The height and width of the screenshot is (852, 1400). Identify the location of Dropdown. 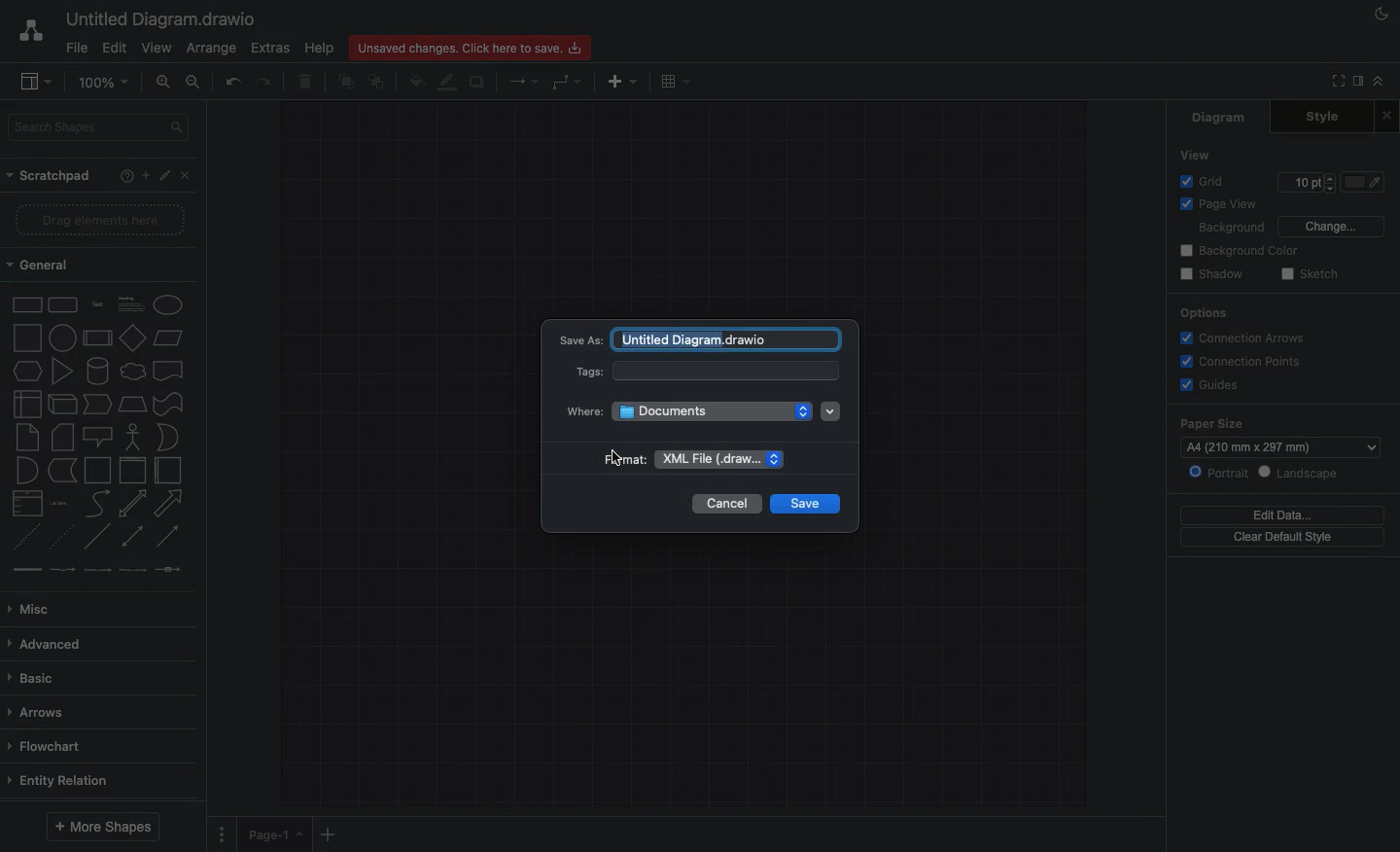
(831, 411).